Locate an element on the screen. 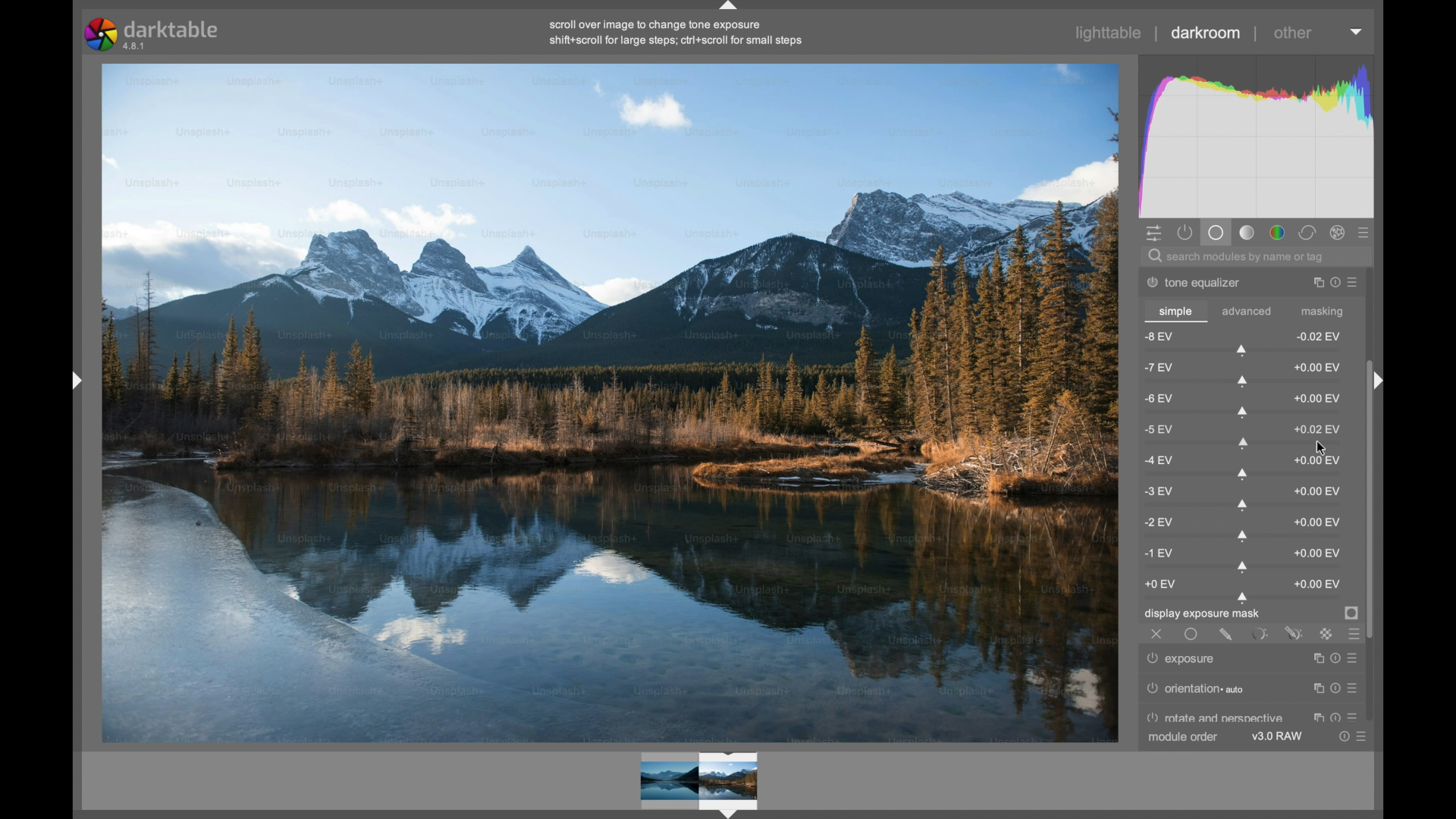 The width and height of the screenshot is (1456, 819). -1 ev is located at coordinates (1159, 553).